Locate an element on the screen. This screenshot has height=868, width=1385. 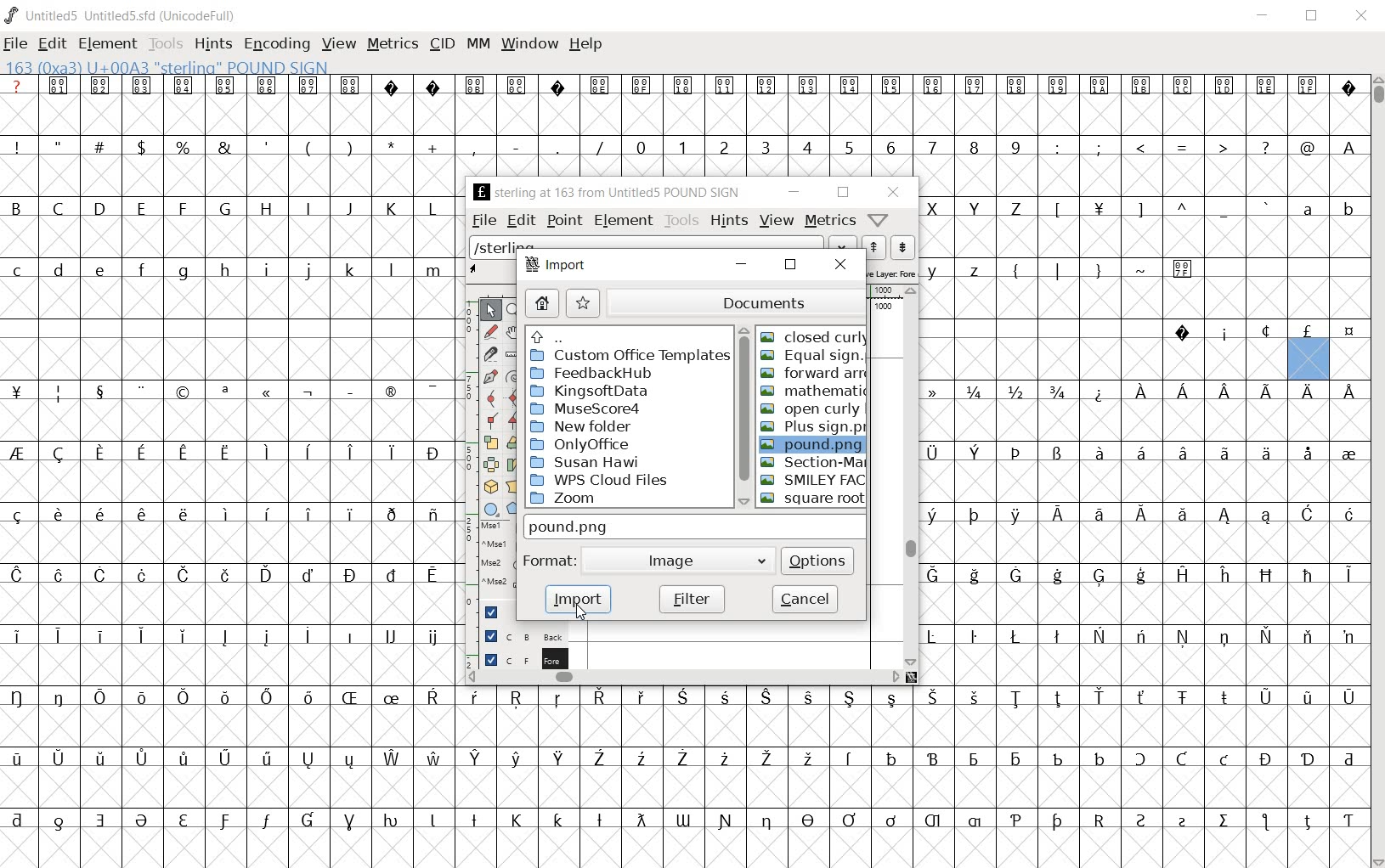
Symbol is located at coordinates (59, 392).